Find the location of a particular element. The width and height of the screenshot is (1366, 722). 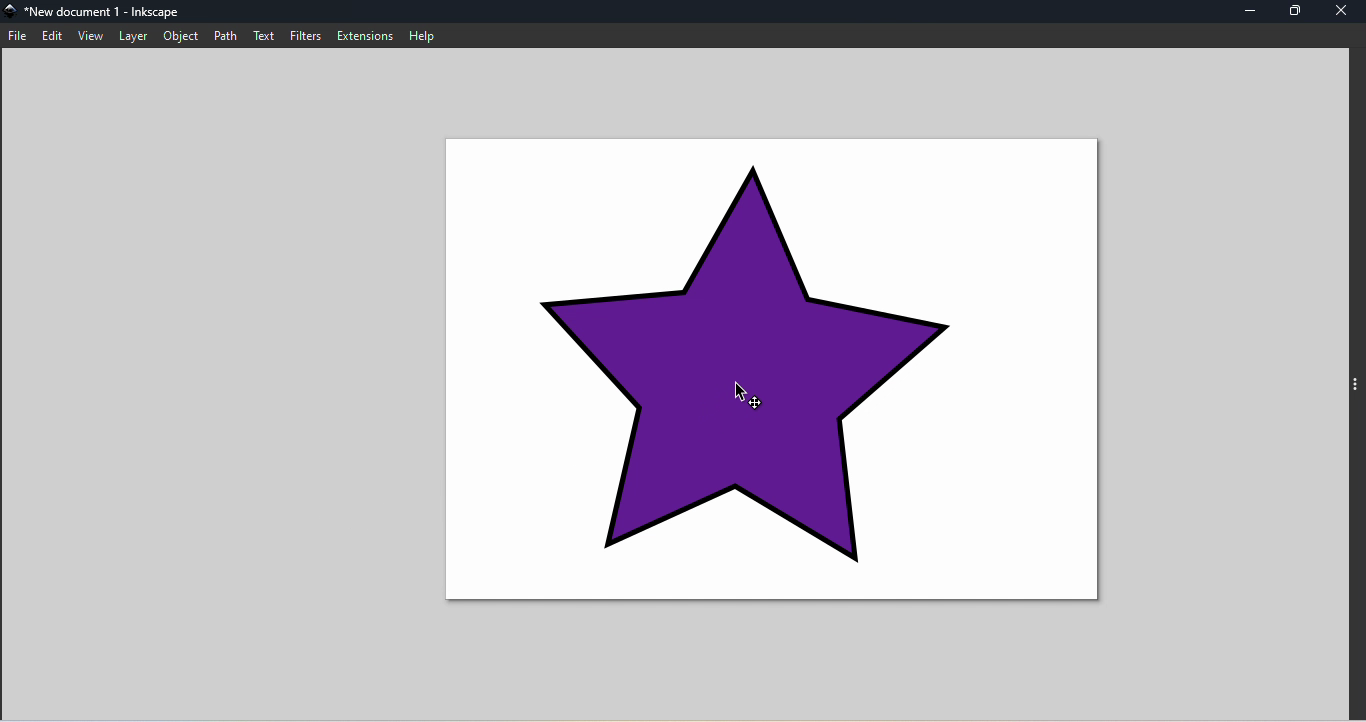

Minimize is located at coordinates (1253, 11).